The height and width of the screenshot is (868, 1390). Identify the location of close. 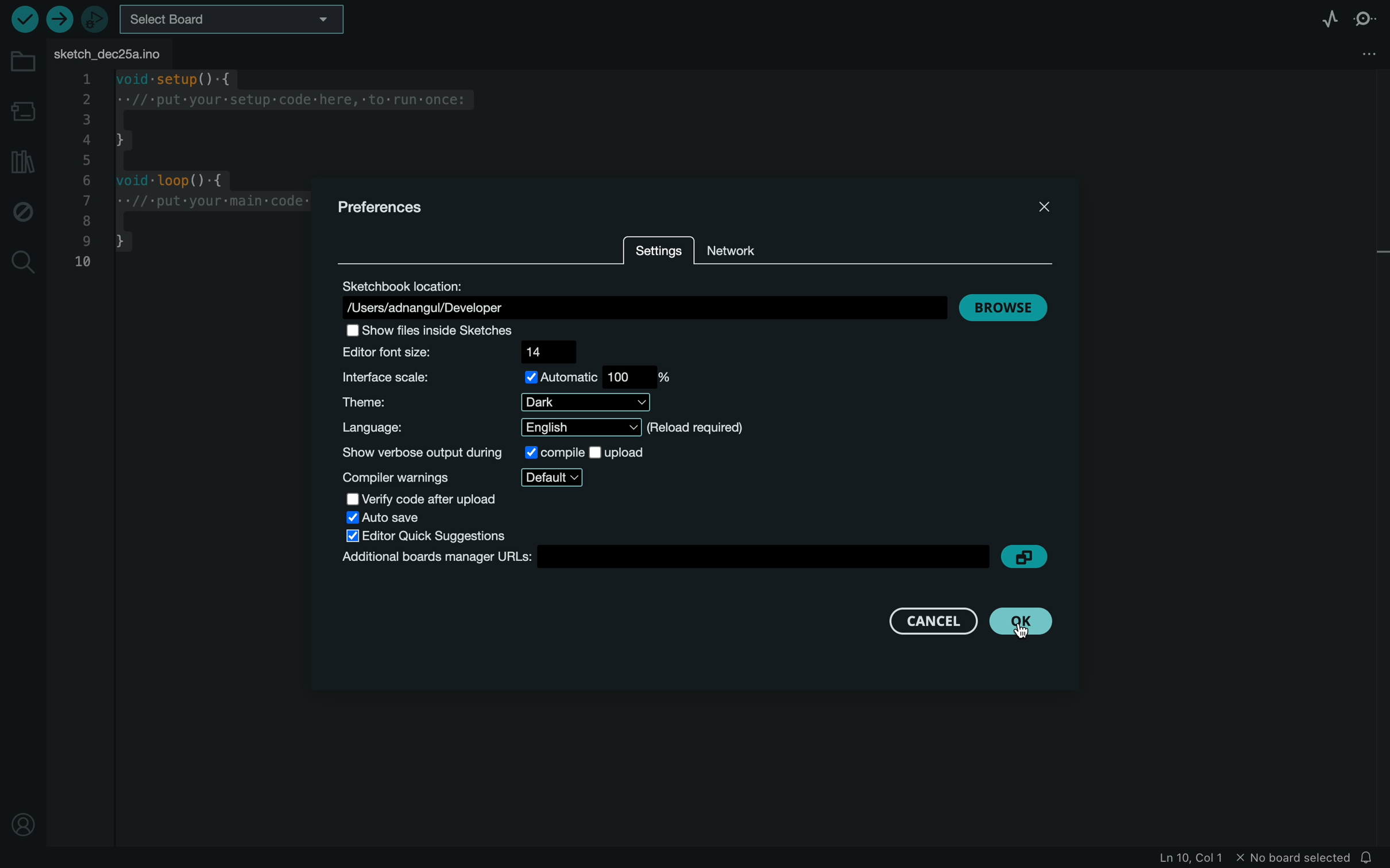
(1043, 203).